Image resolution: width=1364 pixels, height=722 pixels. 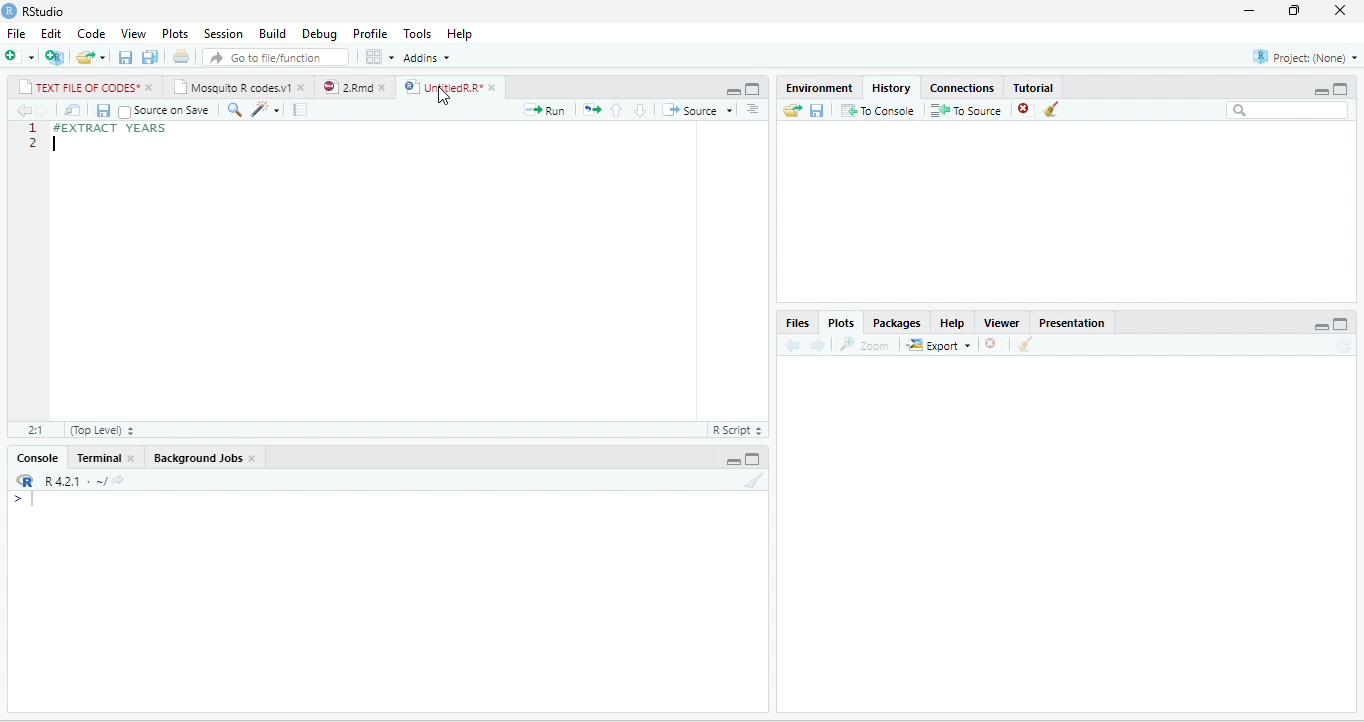 What do you see at coordinates (752, 109) in the screenshot?
I see `options` at bounding box center [752, 109].